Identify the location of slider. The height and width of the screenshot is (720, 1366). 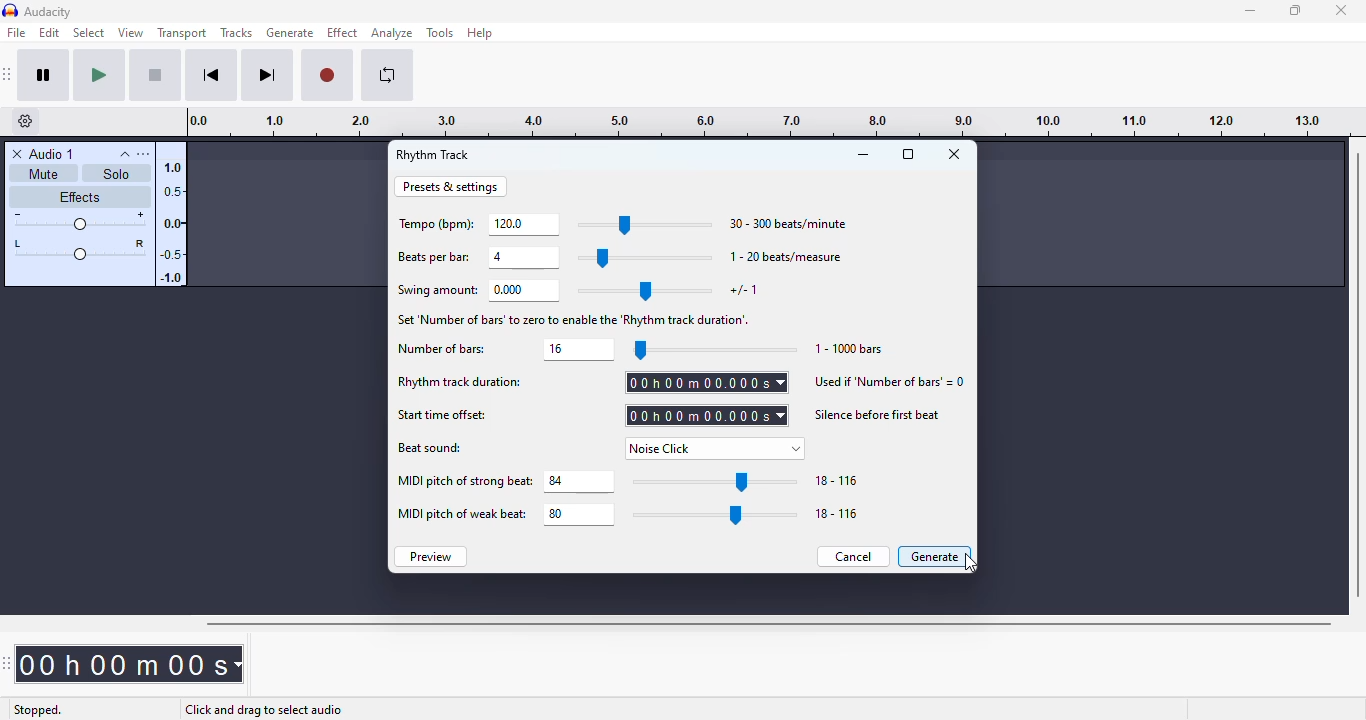
(645, 224).